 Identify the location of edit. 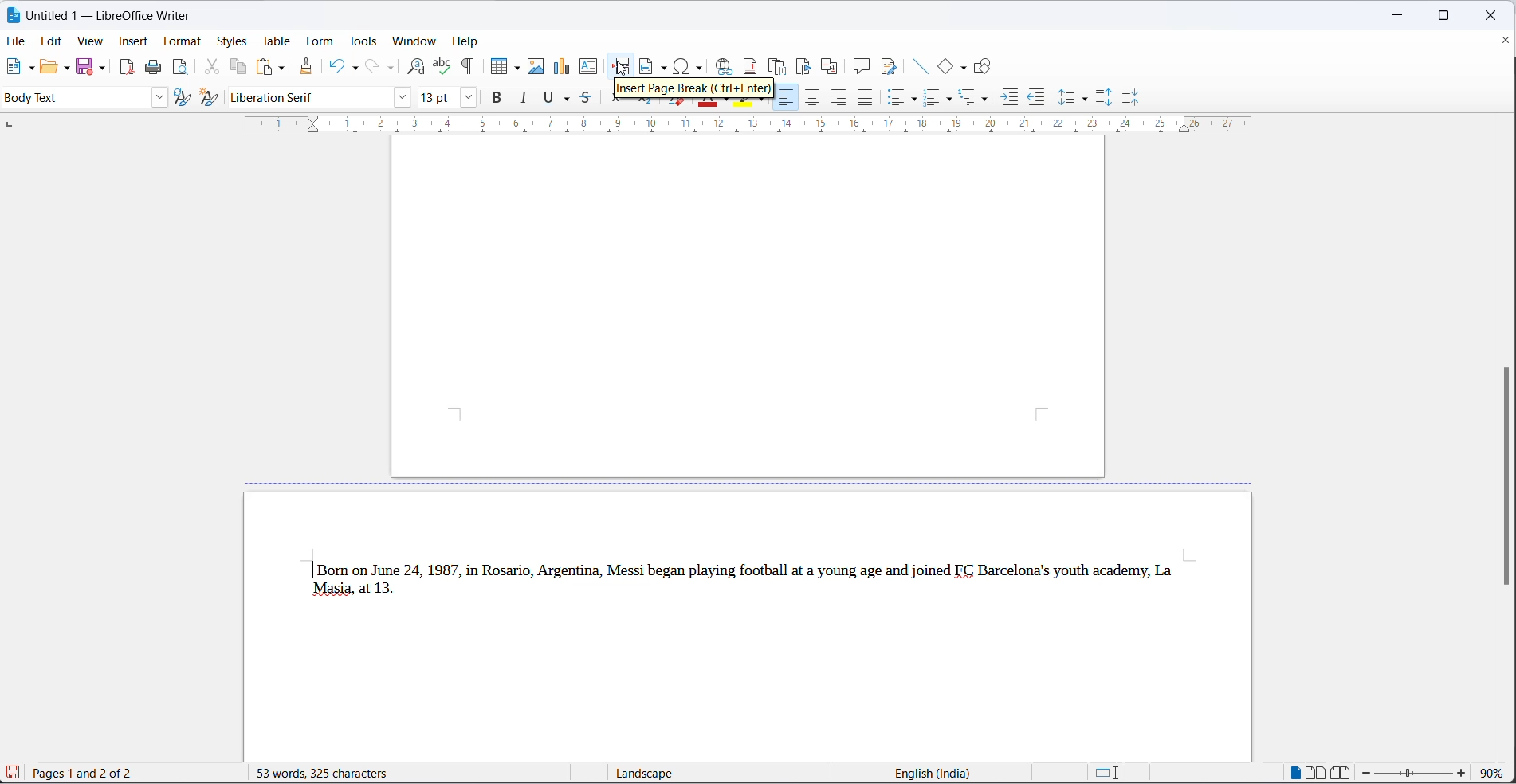
(52, 39).